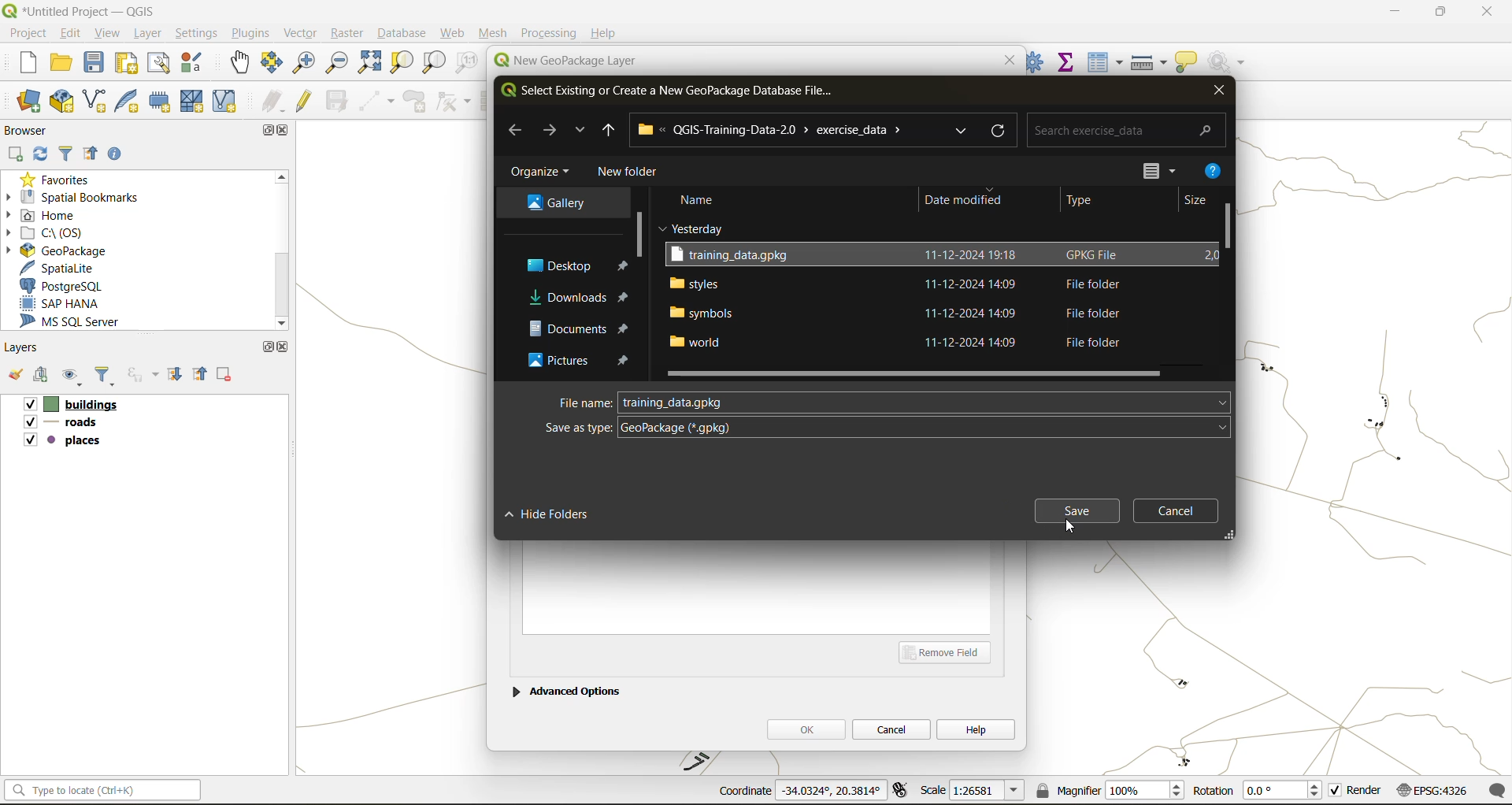 This screenshot has height=805, width=1512. I want to click on vertex tools, so click(454, 102).